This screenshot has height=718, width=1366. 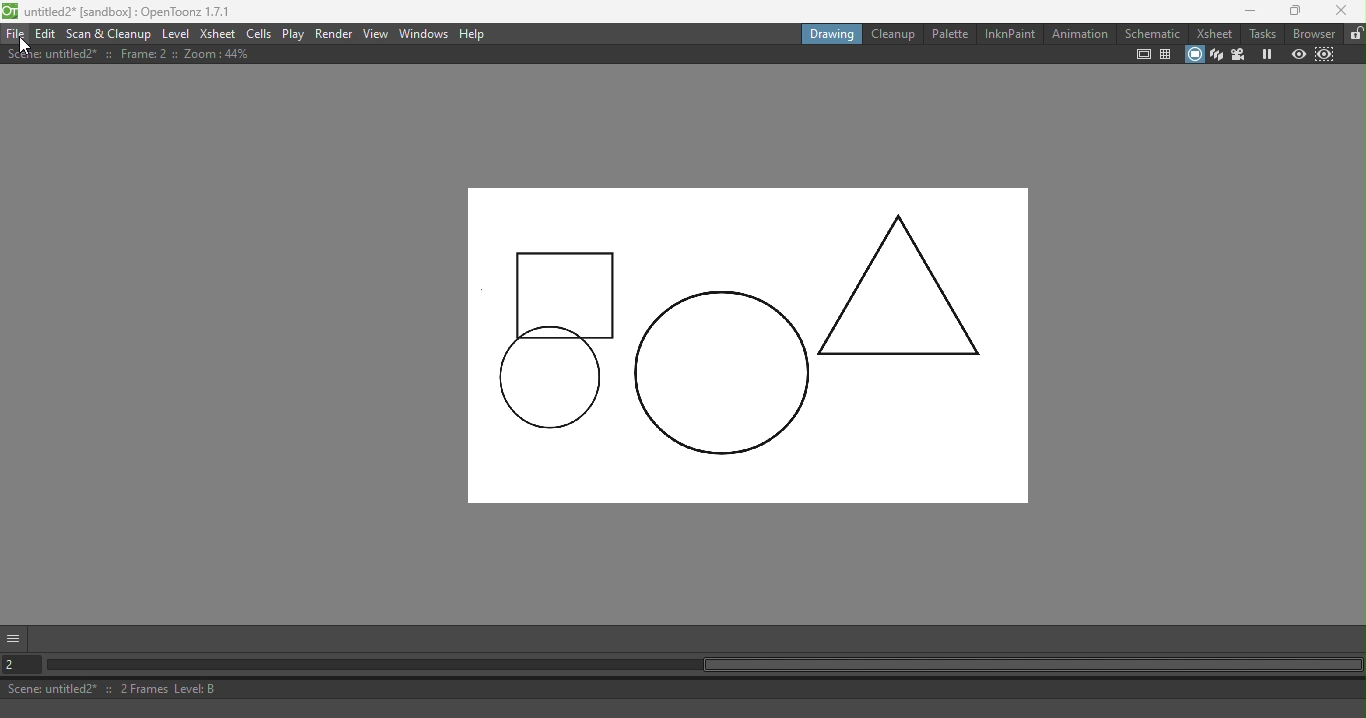 What do you see at coordinates (1296, 56) in the screenshot?
I see `Preview` at bounding box center [1296, 56].